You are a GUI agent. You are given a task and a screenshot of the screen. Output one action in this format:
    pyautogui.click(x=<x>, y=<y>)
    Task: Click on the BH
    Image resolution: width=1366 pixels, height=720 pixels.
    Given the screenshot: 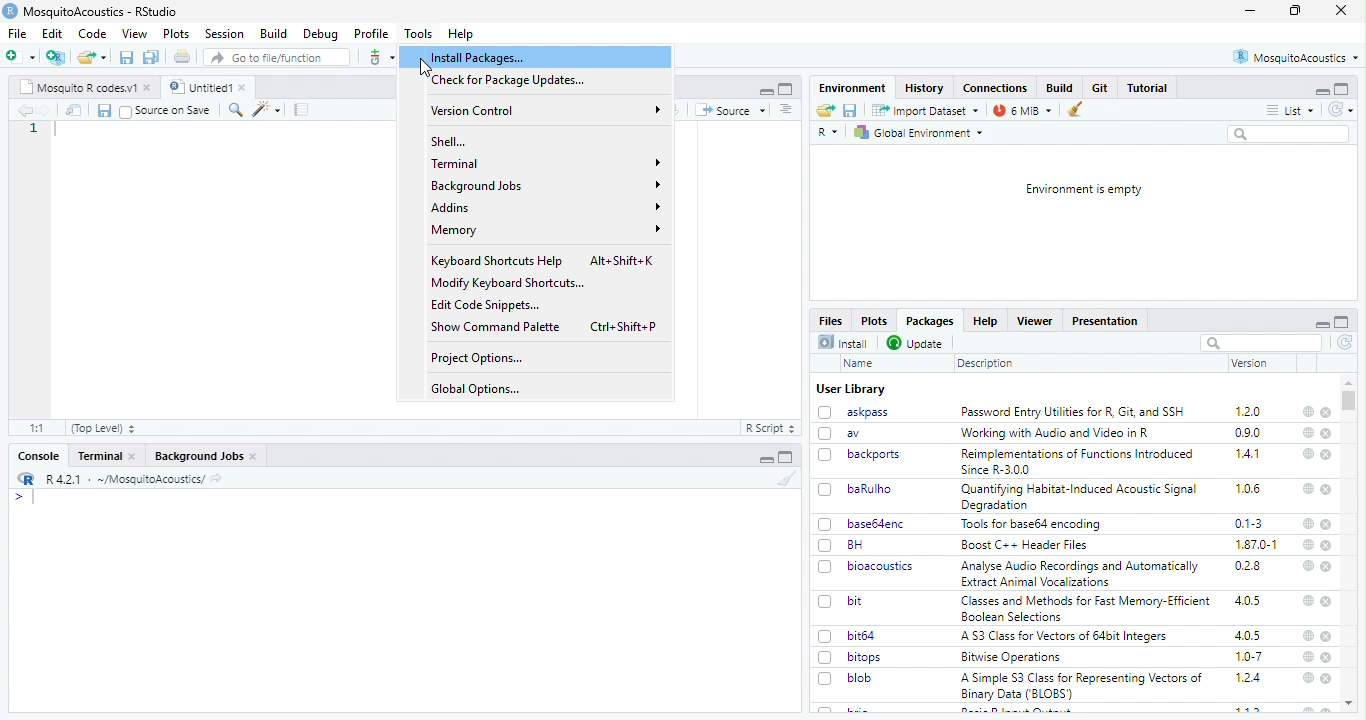 What is the action you would take?
    pyautogui.click(x=855, y=545)
    